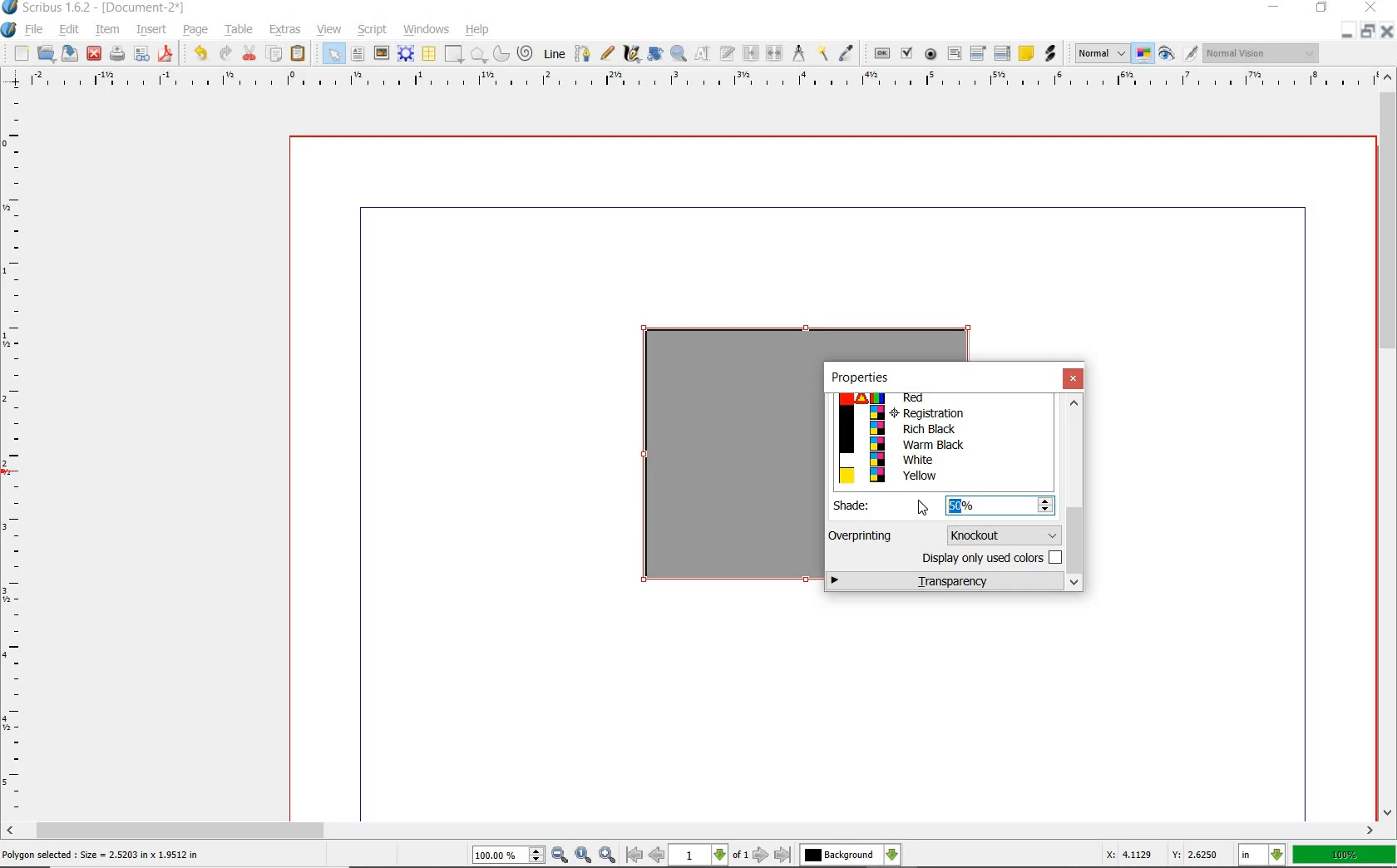 The width and height of the screenshot is (1397, 868). I want to click on saturation/hue added, so click(728, 462).